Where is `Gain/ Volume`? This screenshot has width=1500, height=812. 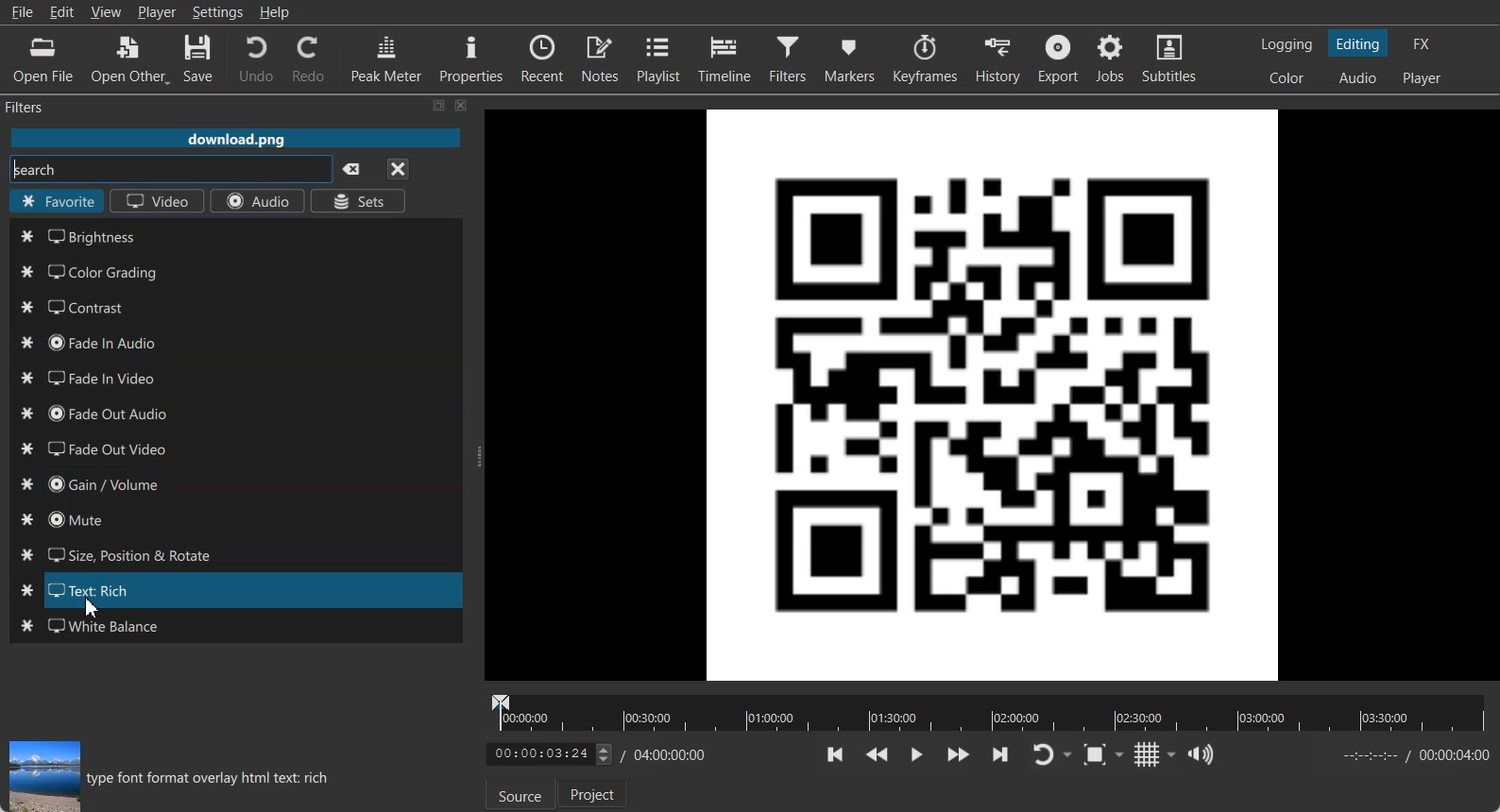 Gain/ Volume is located at coordinates (235, 484).